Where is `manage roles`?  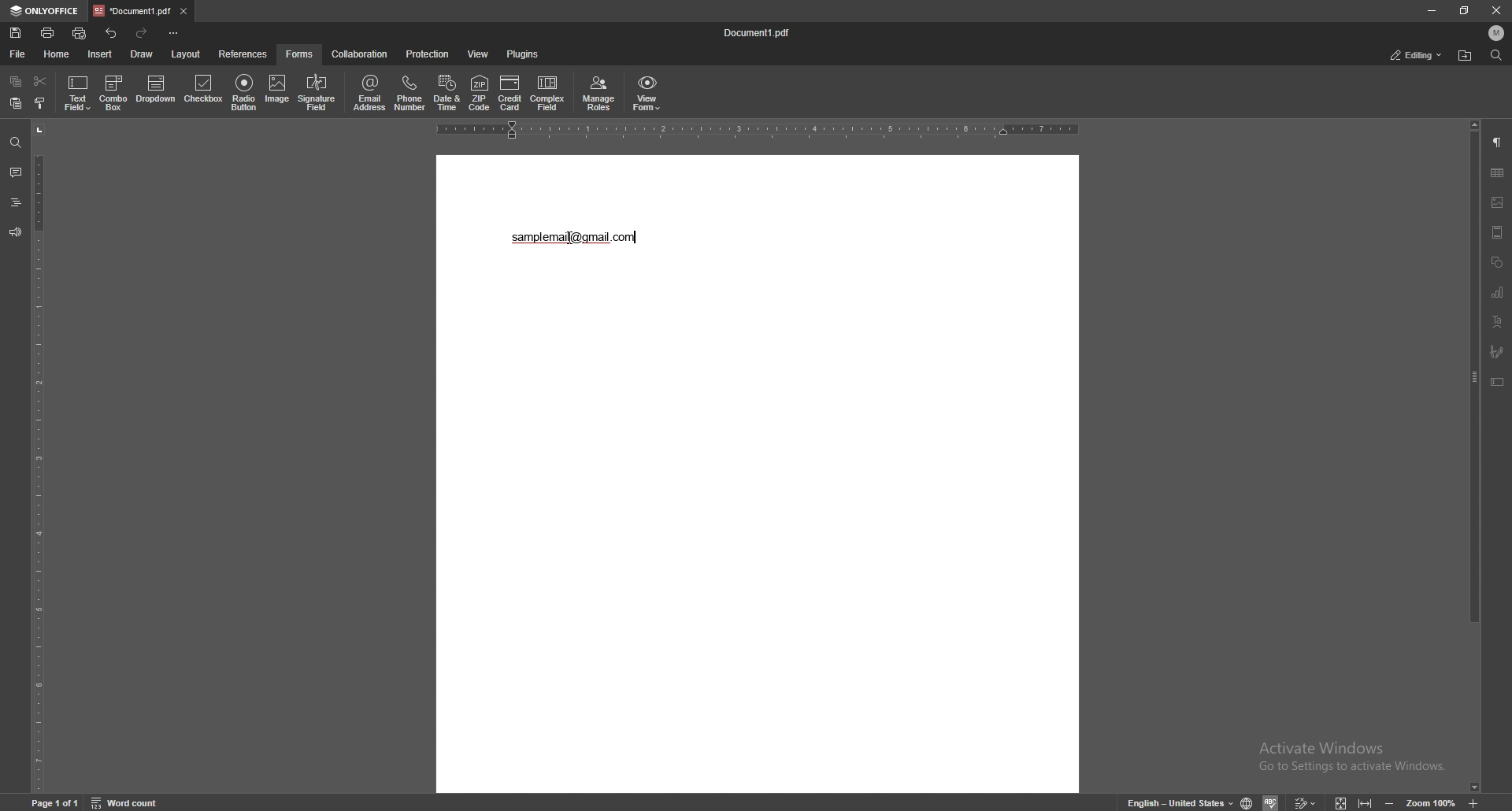 manage roles is located at coordinates (599, 93).